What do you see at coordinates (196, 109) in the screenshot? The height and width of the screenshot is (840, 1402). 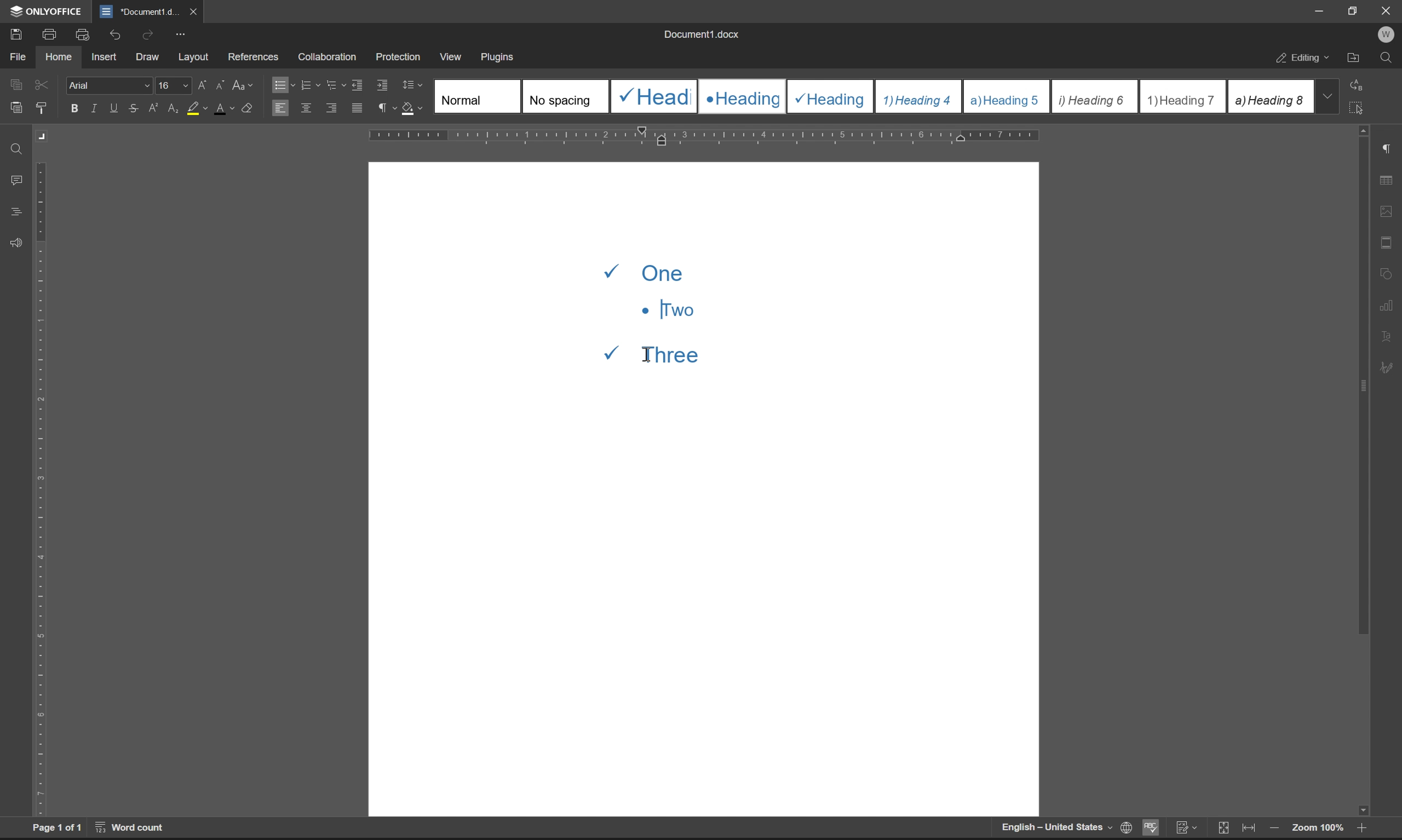 I see `background color` at bounding box center [196, 109].